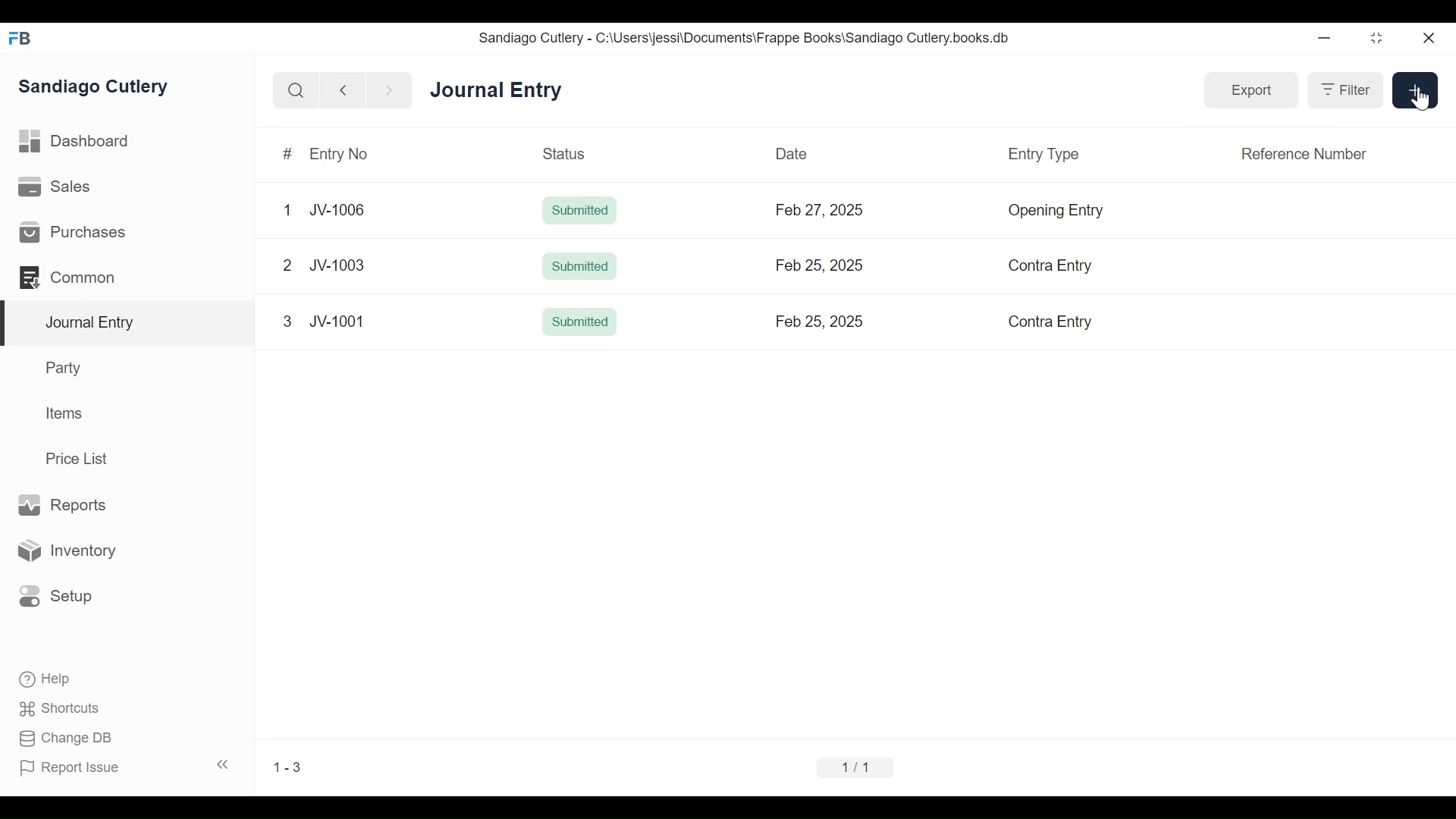 The height and width of the screenshot is (819, 1456). What do you see at coordinates (1346, 91) in the screenshot?
I see `filter` at bounding box center [1346, 91].